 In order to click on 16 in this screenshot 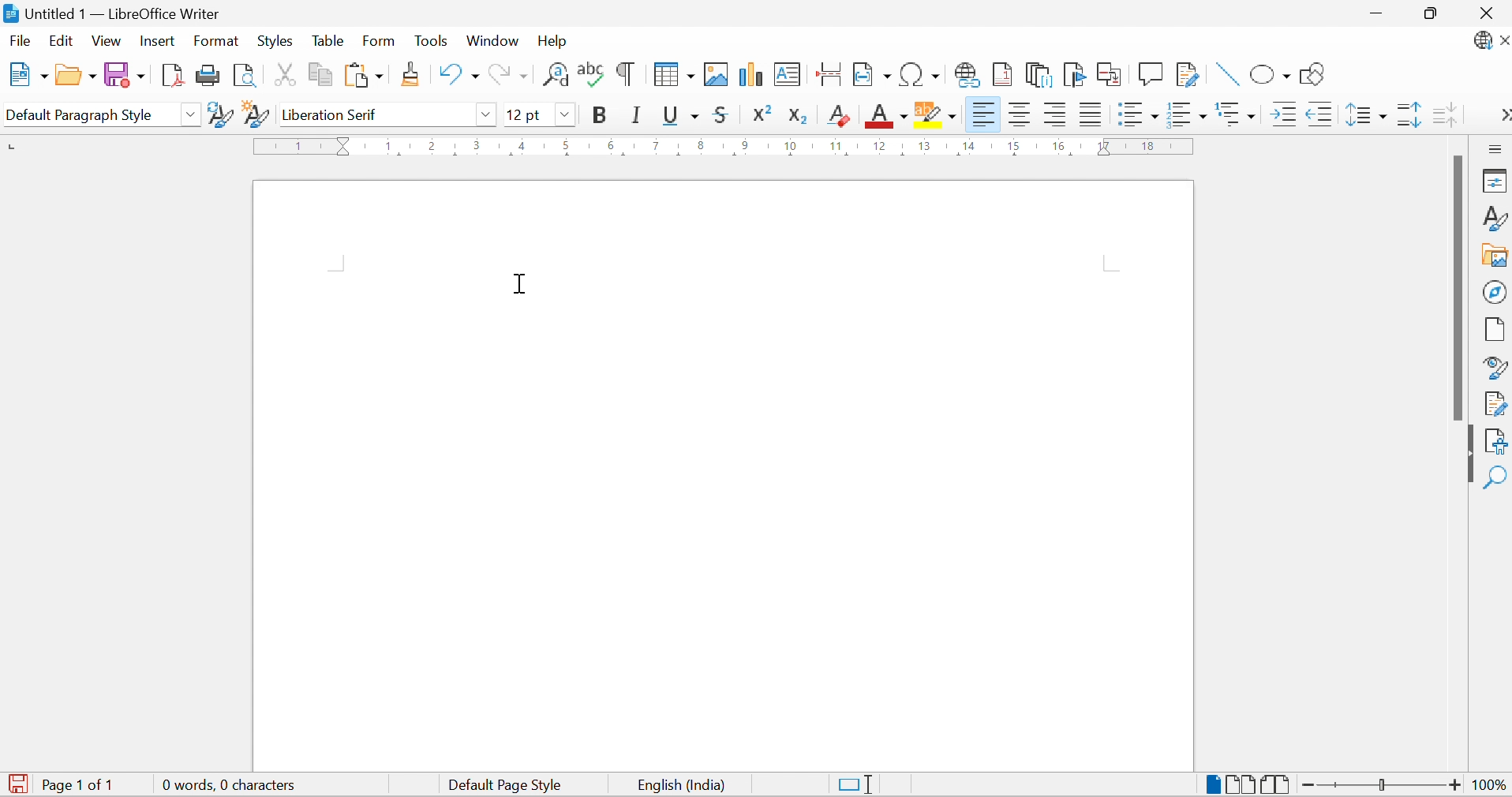, I will do `click(1057, 147)`.